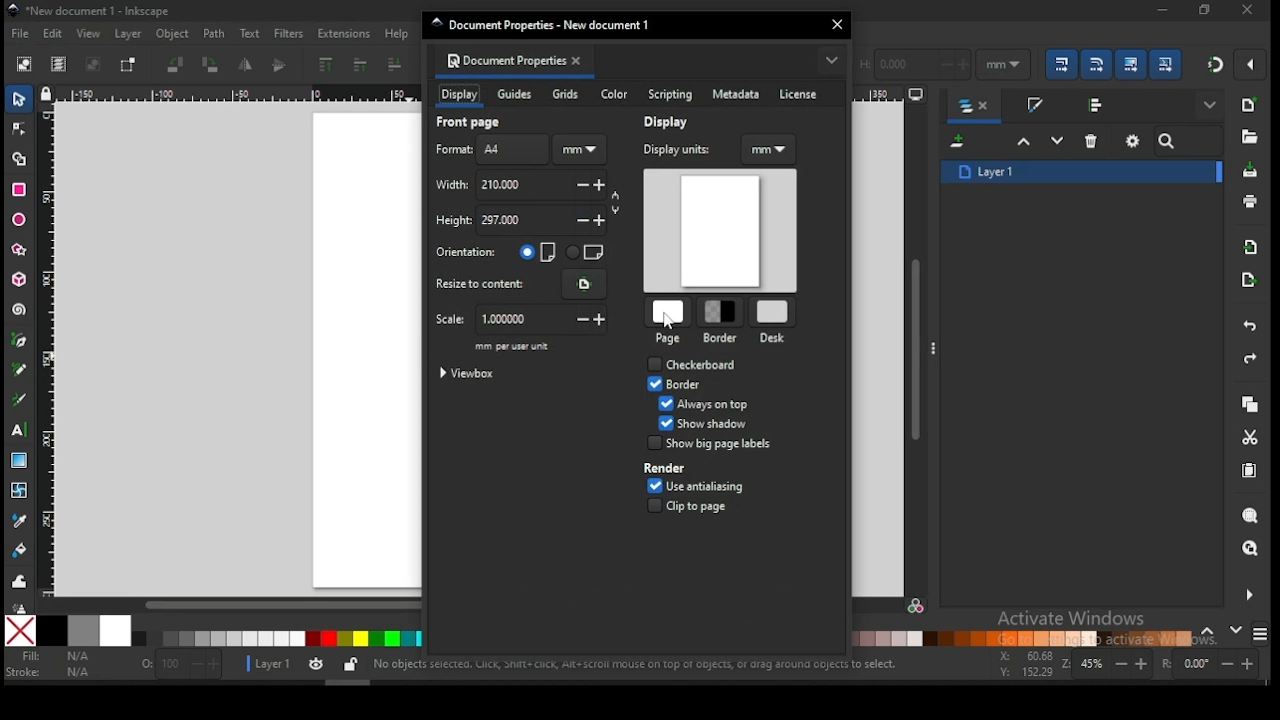  Describe the element at coordinates (709, 444) in the screenshot. I see `render` at that location.